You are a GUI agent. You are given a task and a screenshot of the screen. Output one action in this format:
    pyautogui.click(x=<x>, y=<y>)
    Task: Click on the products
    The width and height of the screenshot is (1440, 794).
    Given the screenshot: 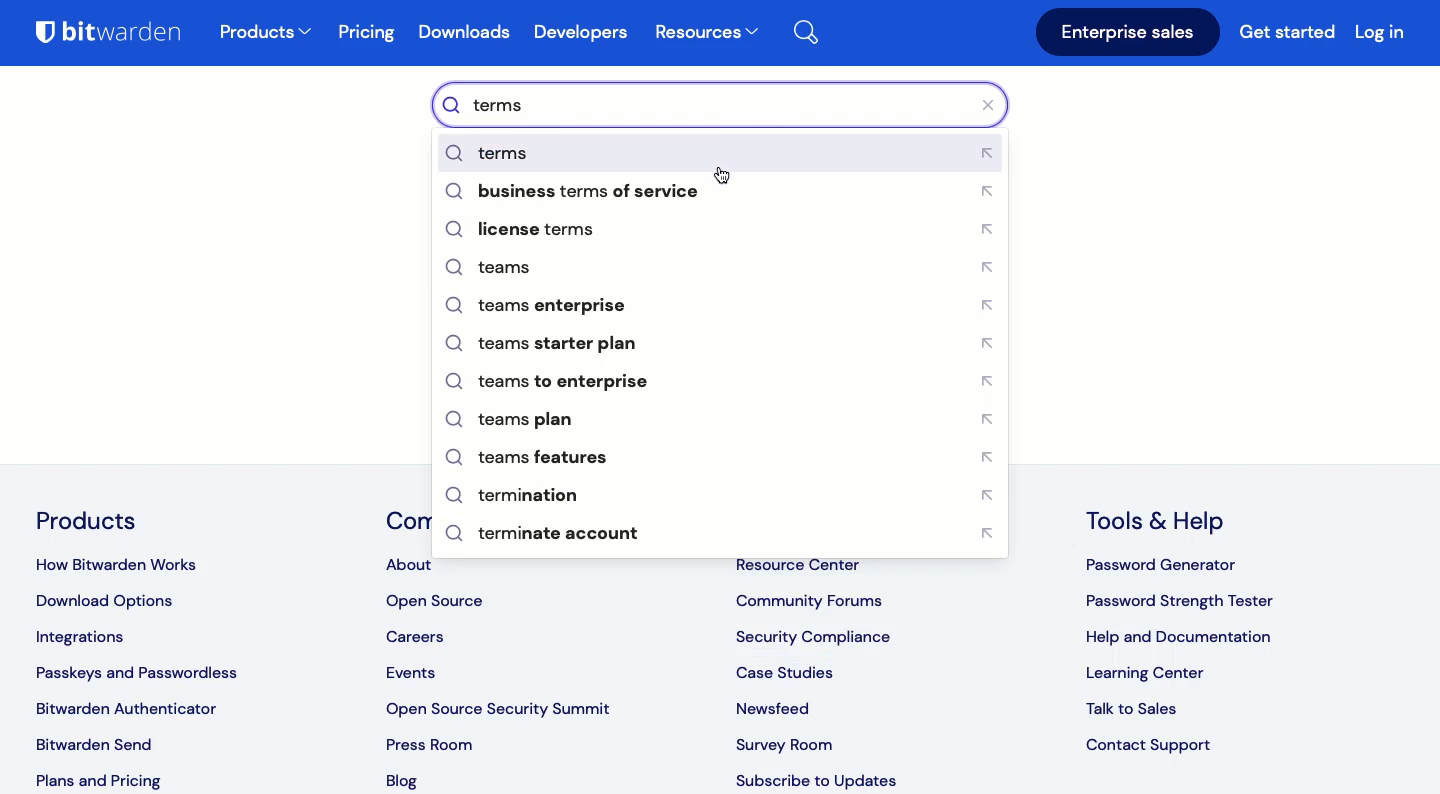 What is the action you would take?
    pyautogui.click(x=266, y=34)
    